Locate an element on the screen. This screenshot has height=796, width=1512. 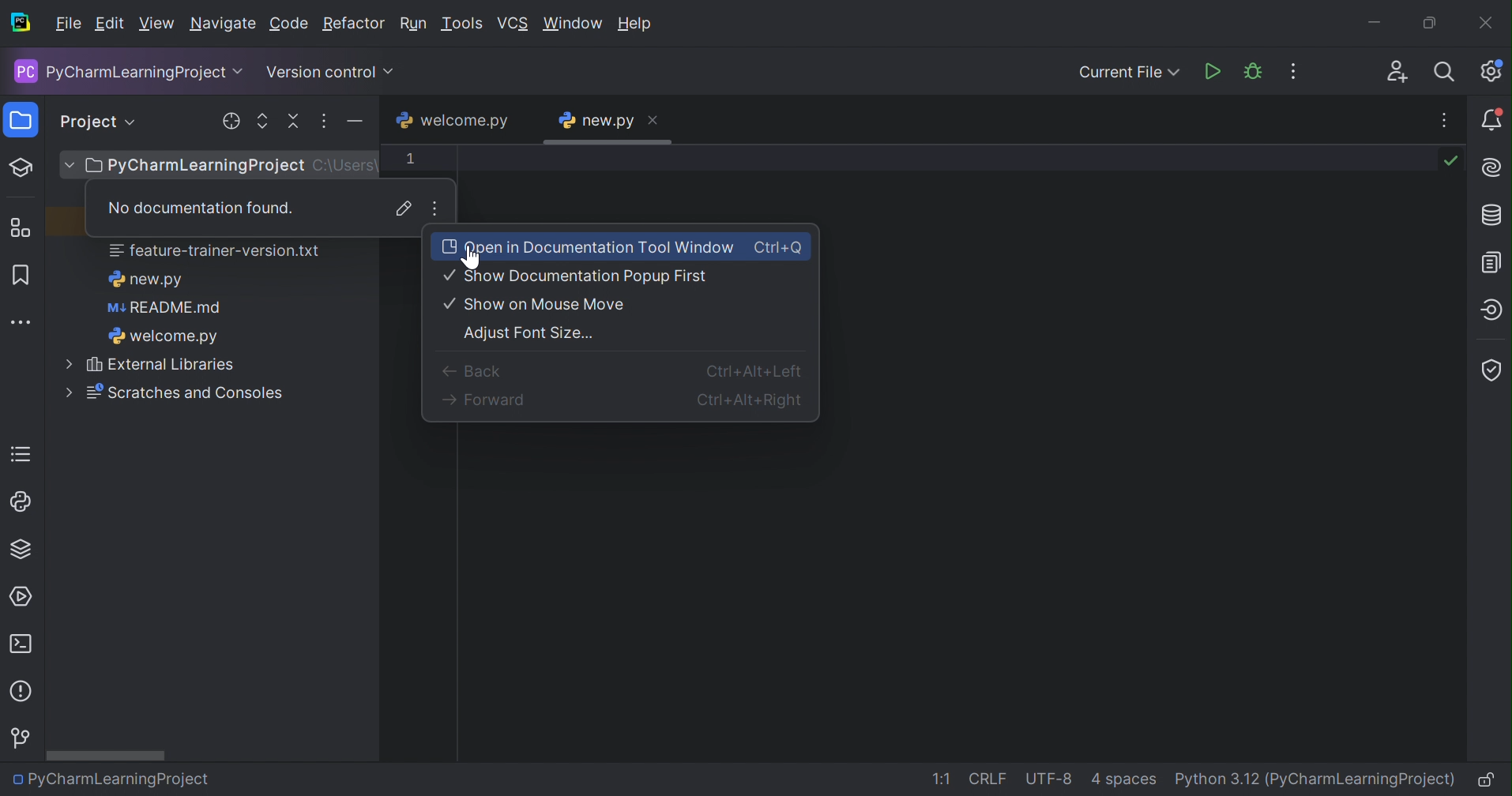
No problems found is located at coordinates (1453, 161).